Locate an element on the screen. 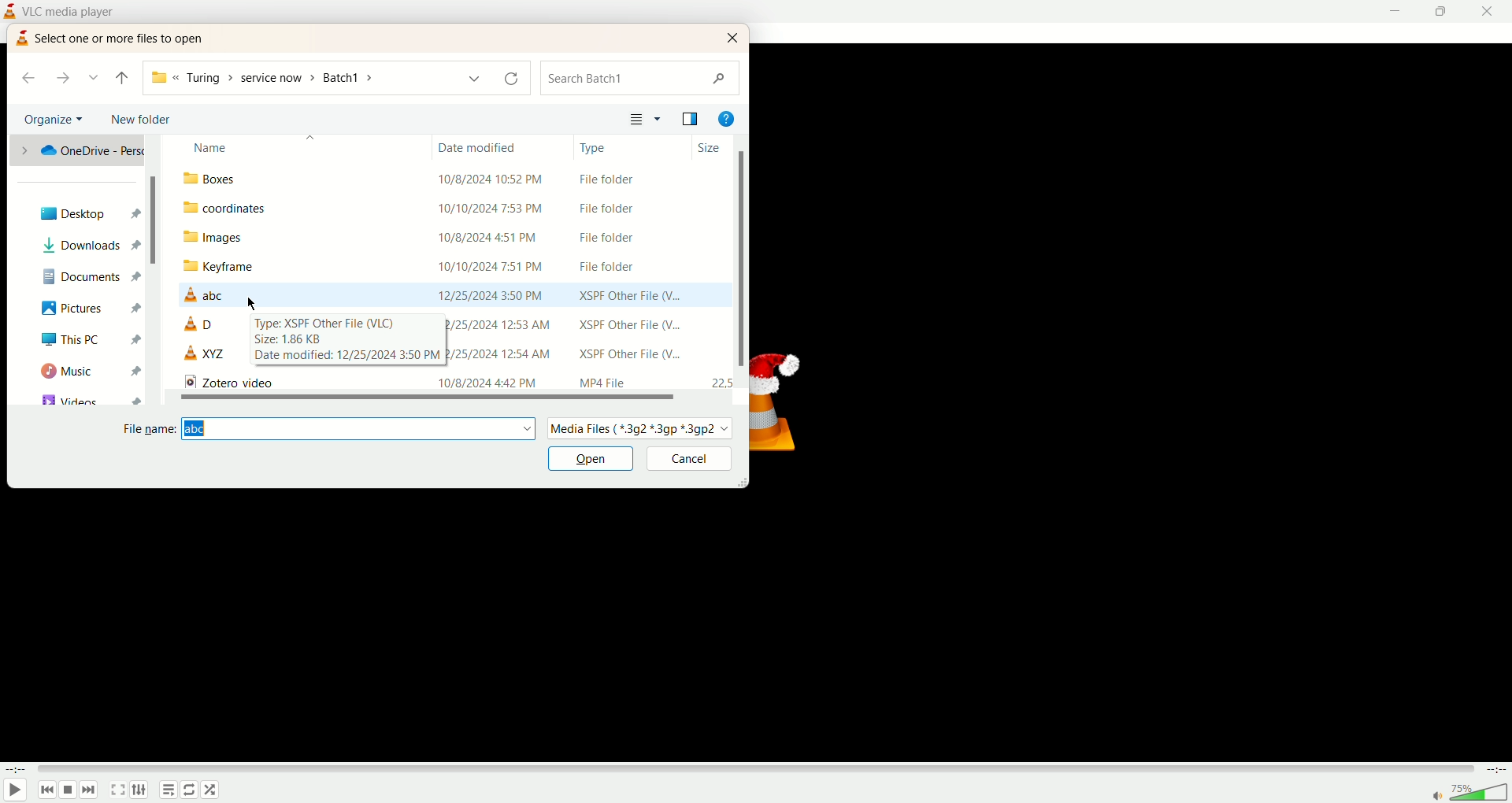 This screenshot has width=1512, height=803. reload is located at coordinates (510, 80).